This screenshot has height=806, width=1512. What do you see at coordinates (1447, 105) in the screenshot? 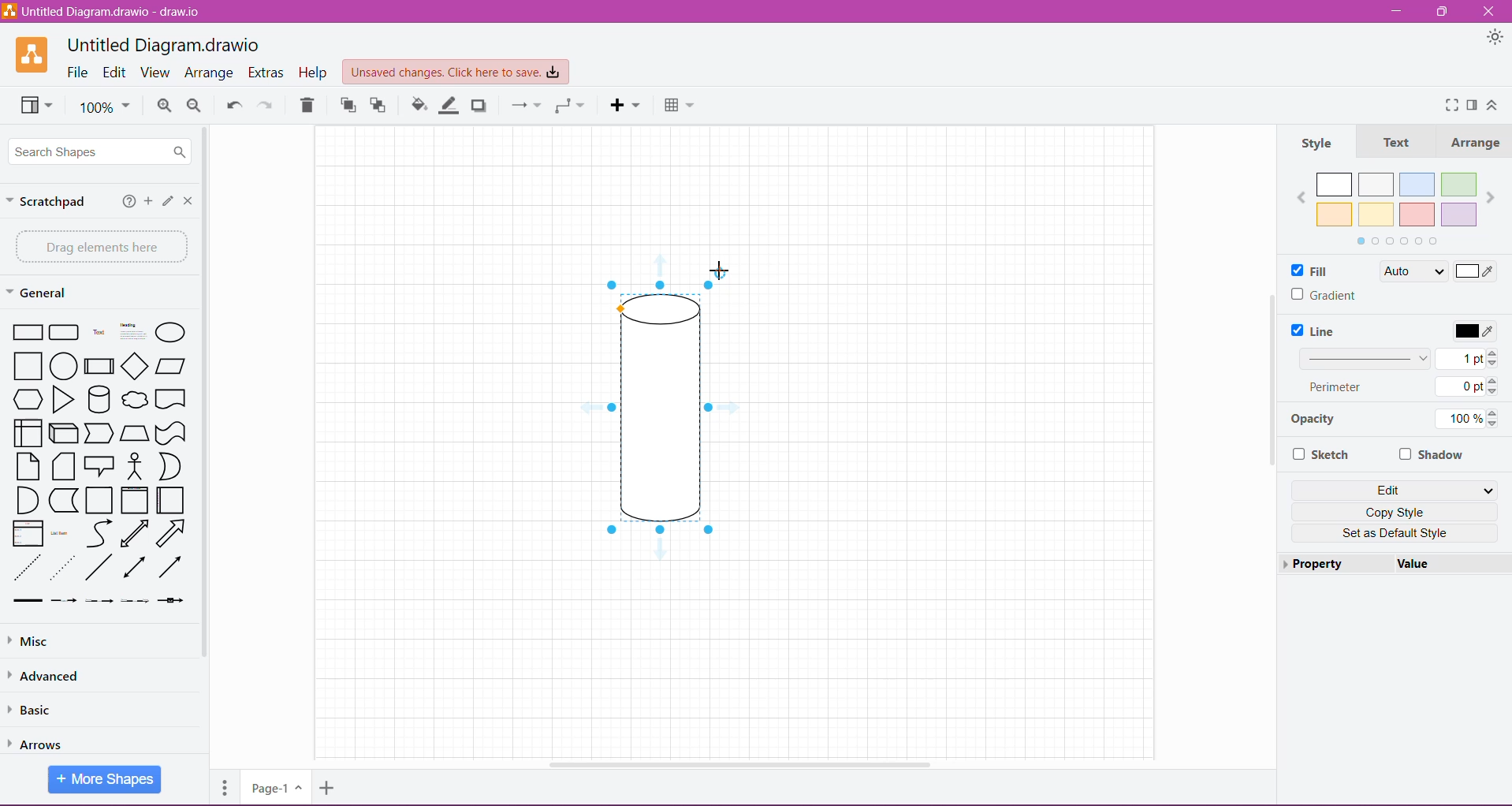
I see `Fullscreen` at bounding box center [1447, 105].